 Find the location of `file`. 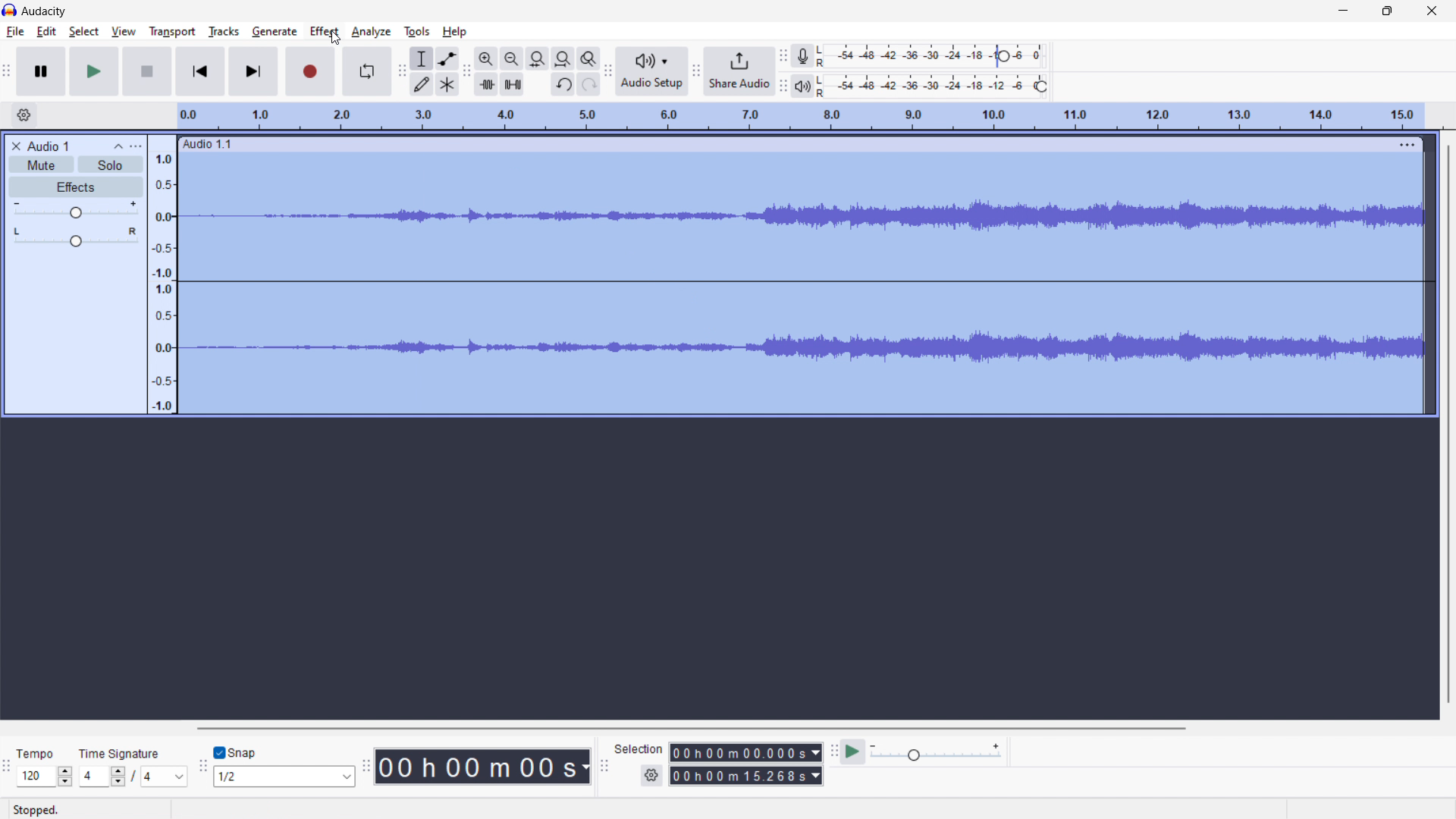

file is located at coordinates (15, 31).